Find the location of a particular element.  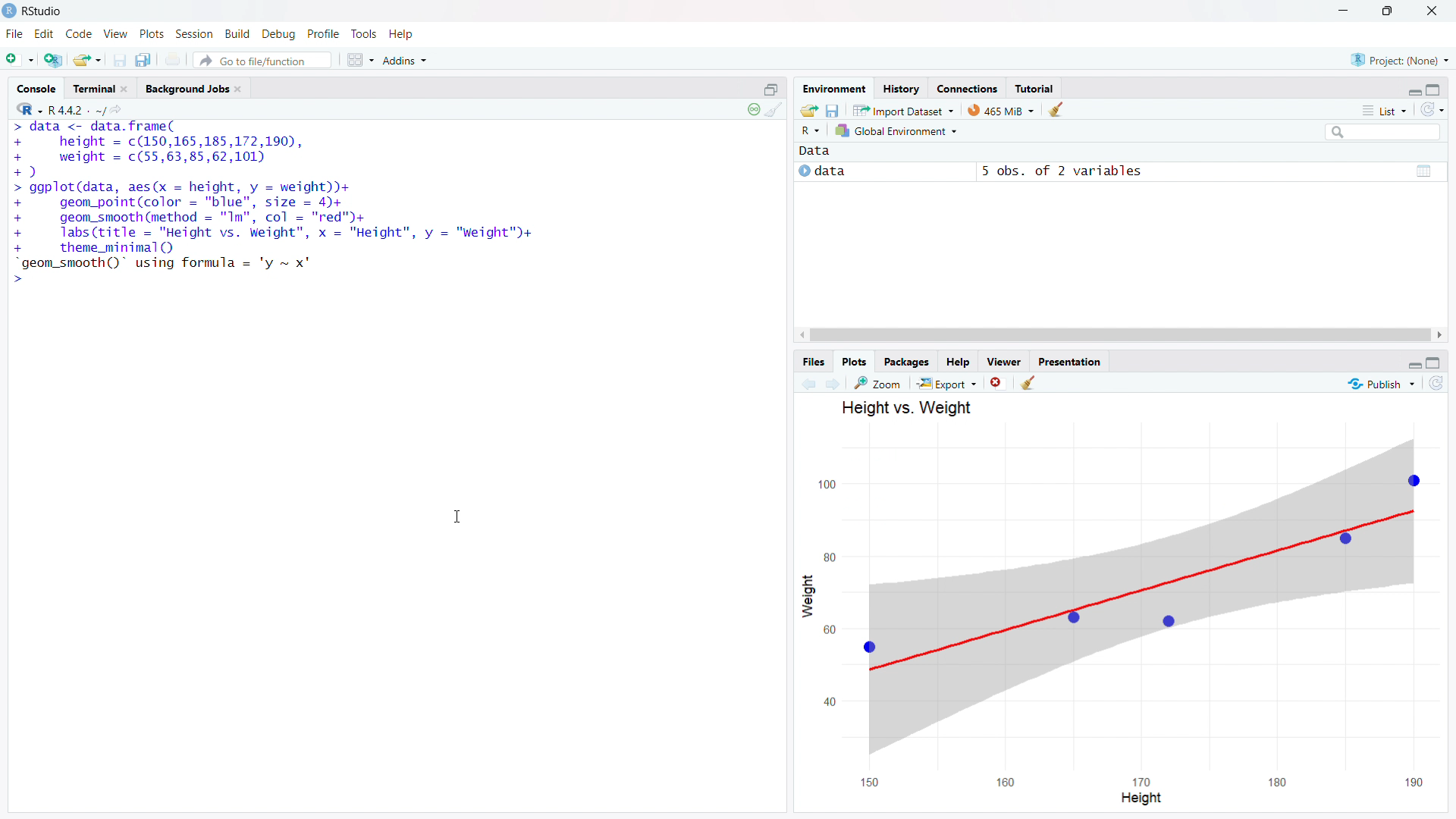

+) is located at coordinates (27, 172).